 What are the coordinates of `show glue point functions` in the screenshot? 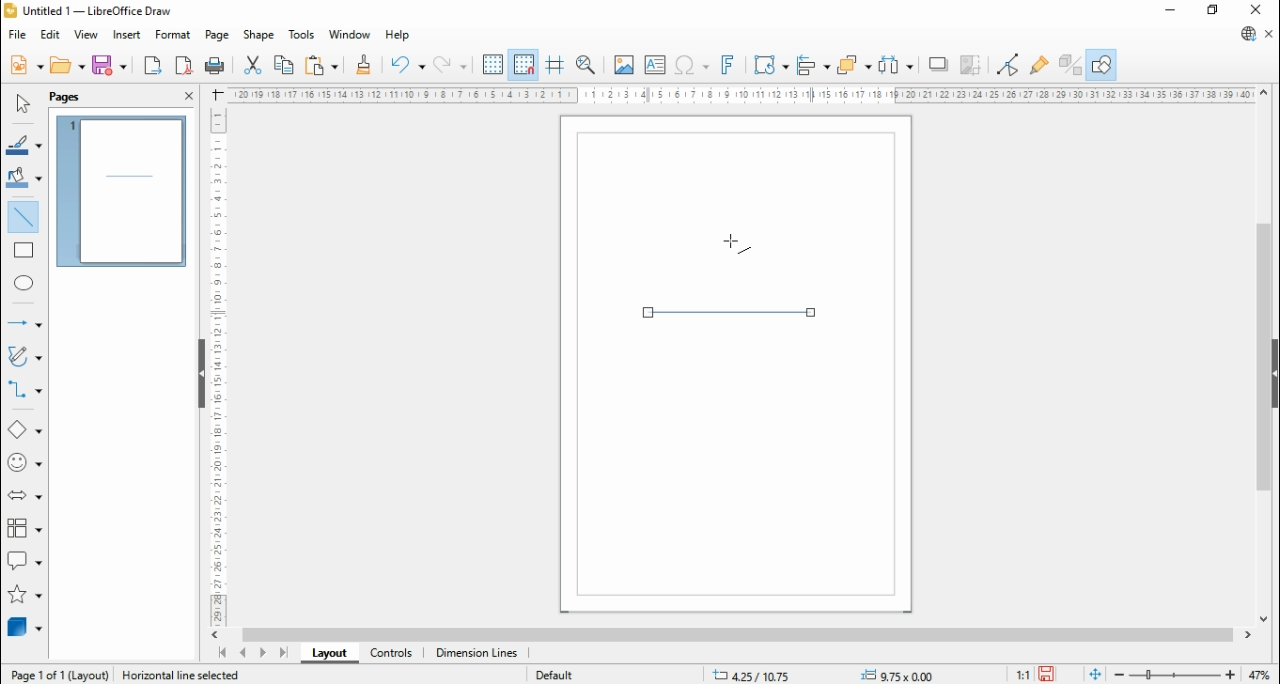 It's located at (1038, 64).